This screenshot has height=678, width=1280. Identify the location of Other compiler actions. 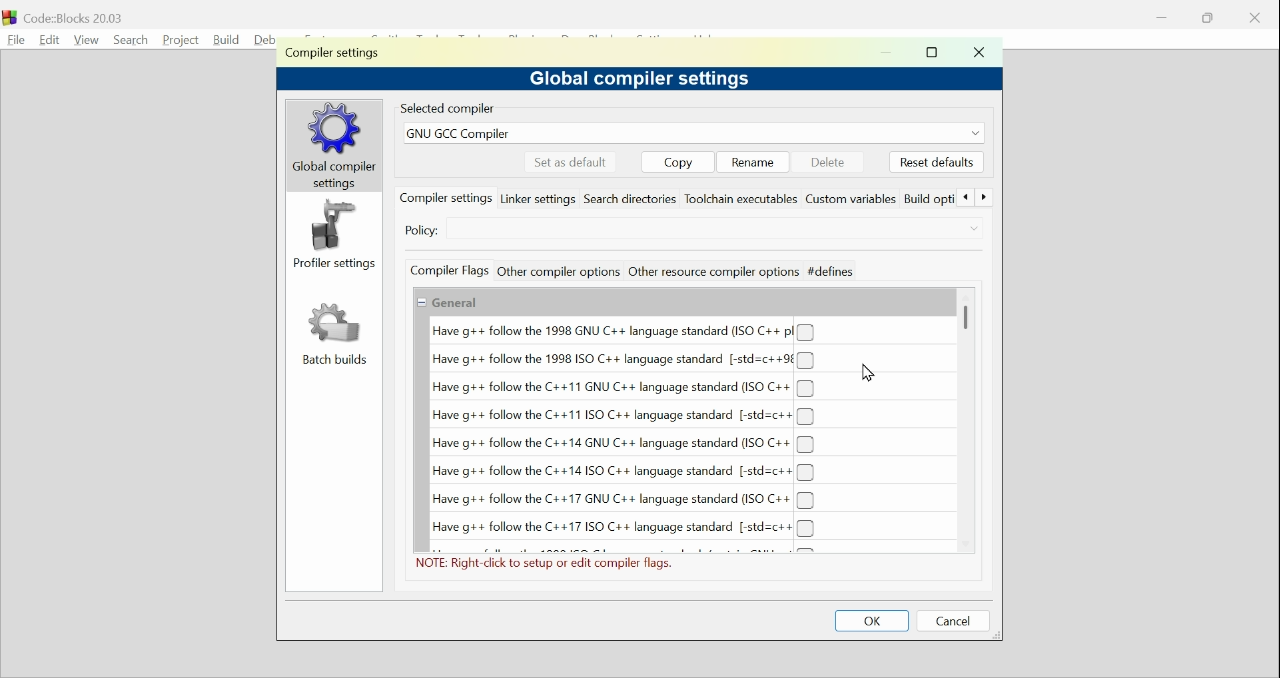
(557, 271).